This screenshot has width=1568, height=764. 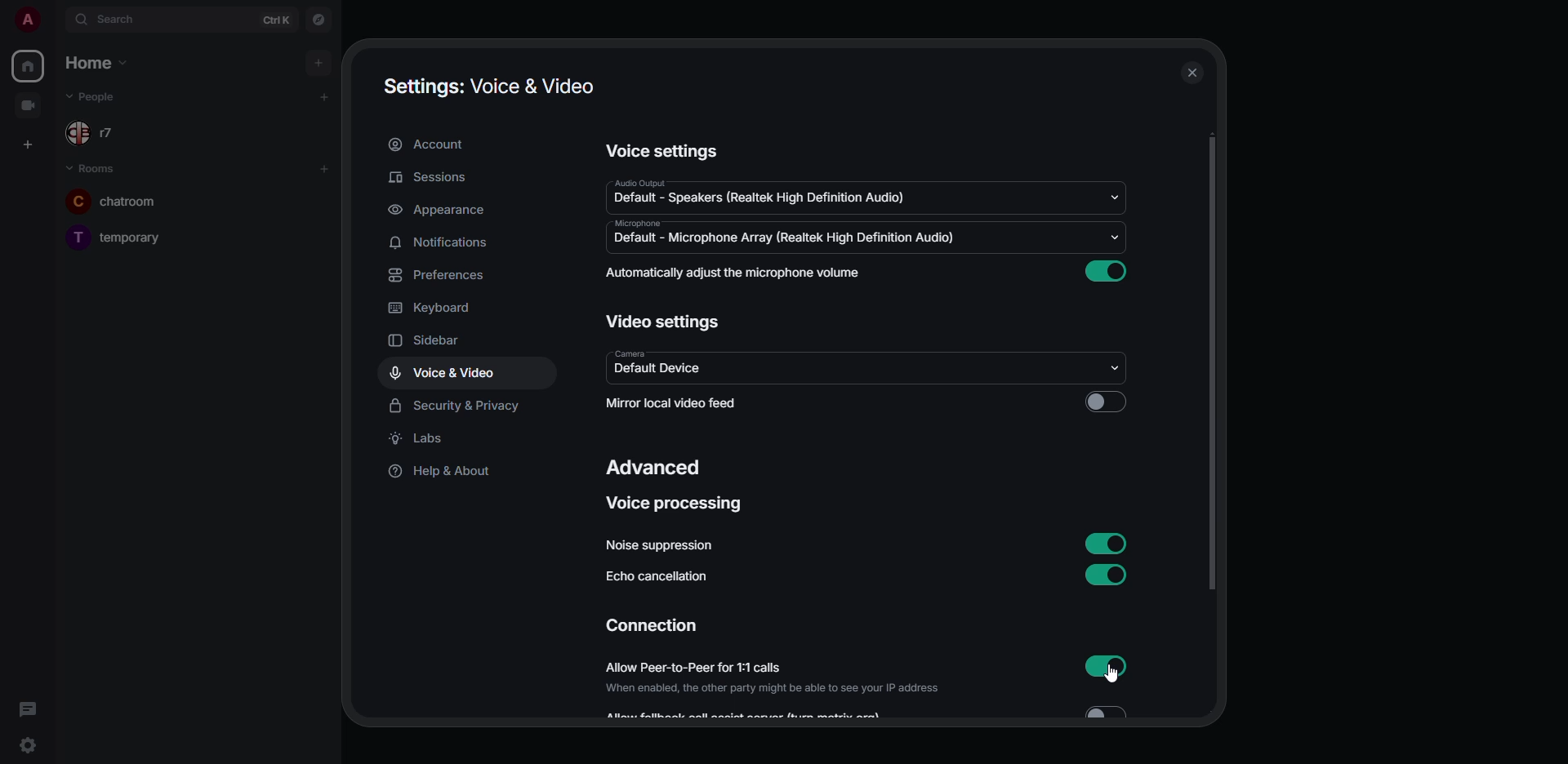 I want to click on close, so click(x=1192, y=73).